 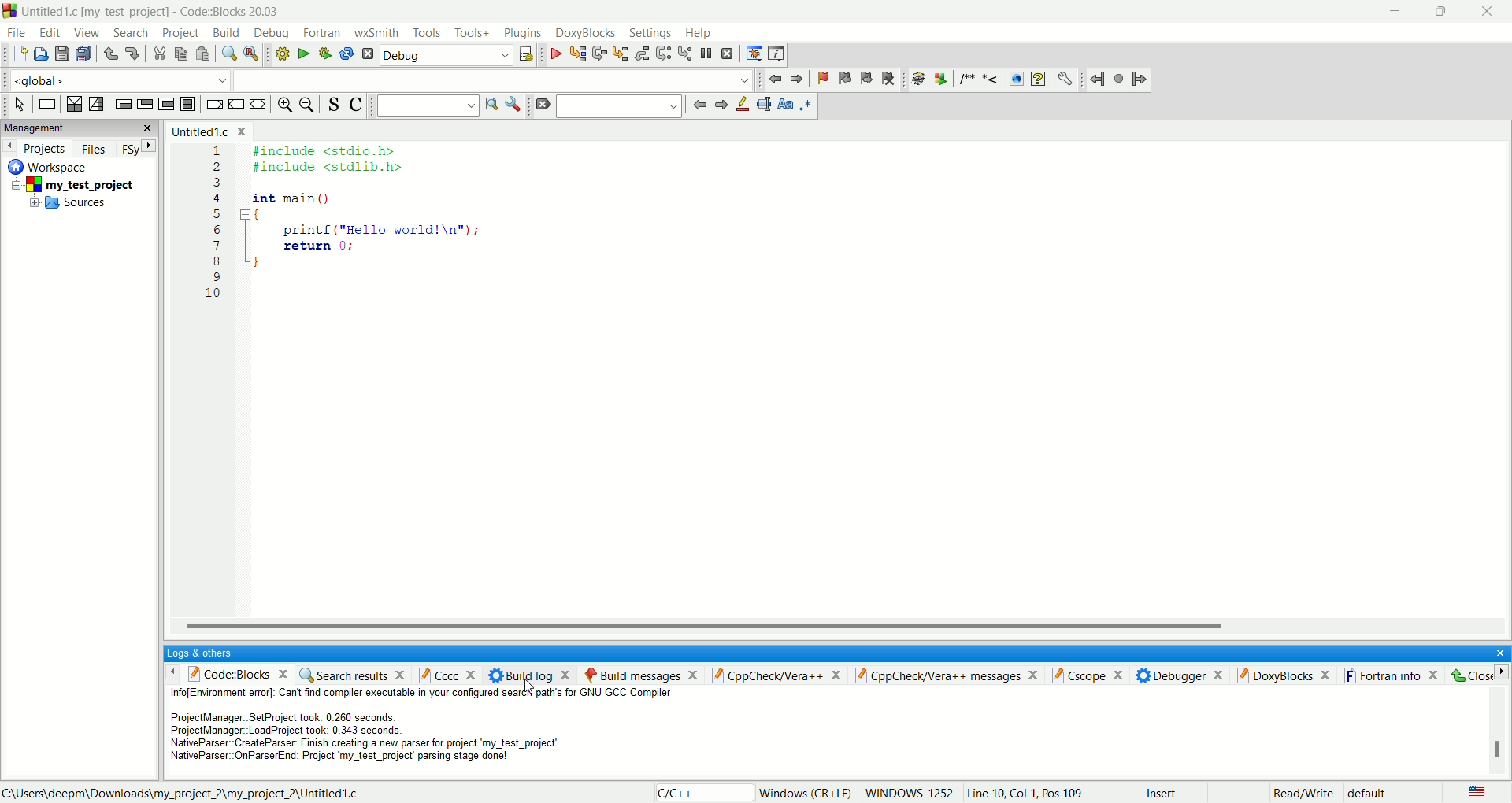 What do you see at coordinates (16, 31) in the screenshot?
I see `file` at bounding box center [16, 31].